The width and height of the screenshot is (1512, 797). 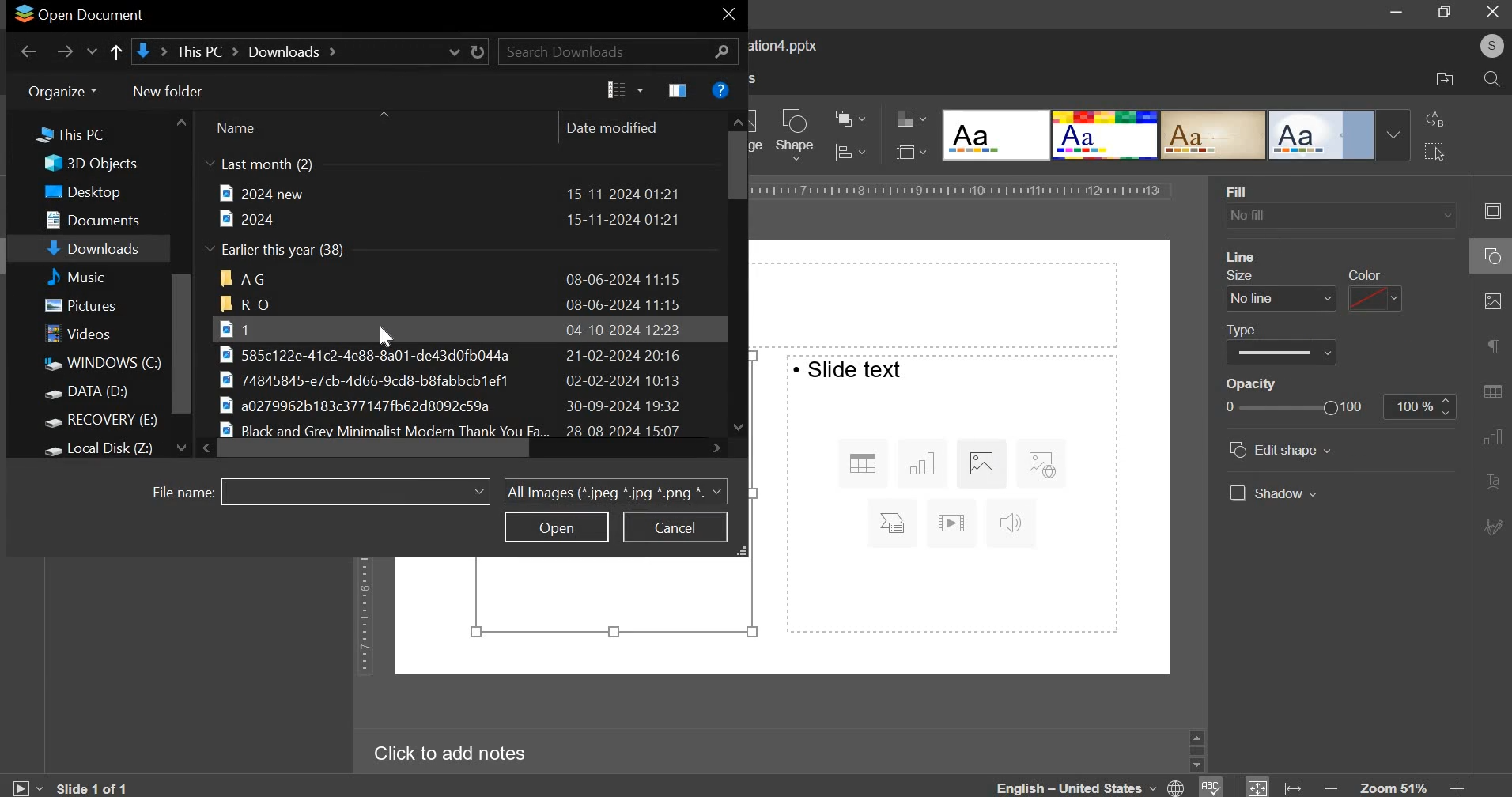 What do you see at coordinates (93, 192) in the screenshot?
I see `desktop` at bounding box center [93, 192].